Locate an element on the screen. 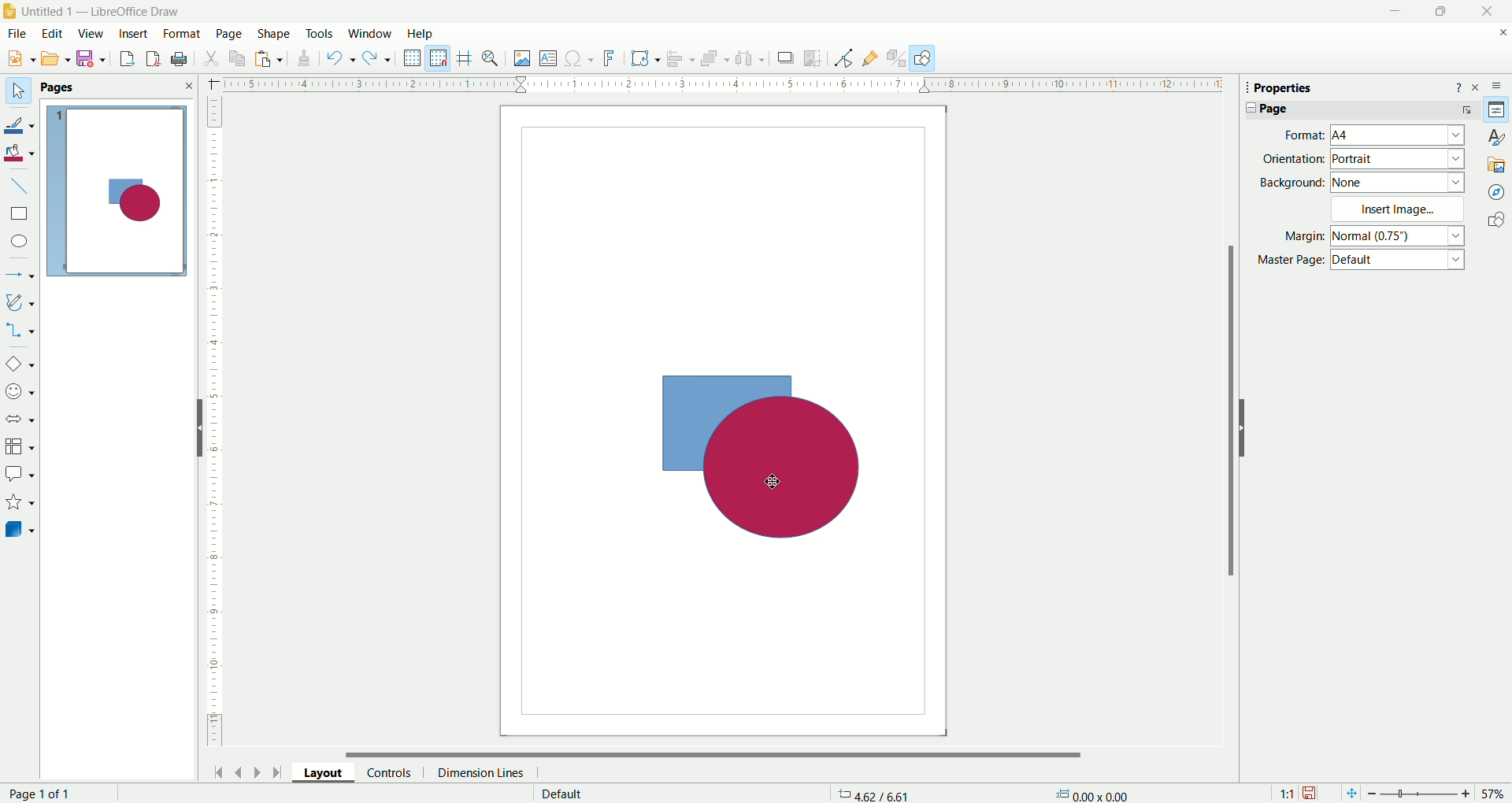  shapes is located at coordinates (1494, 220).